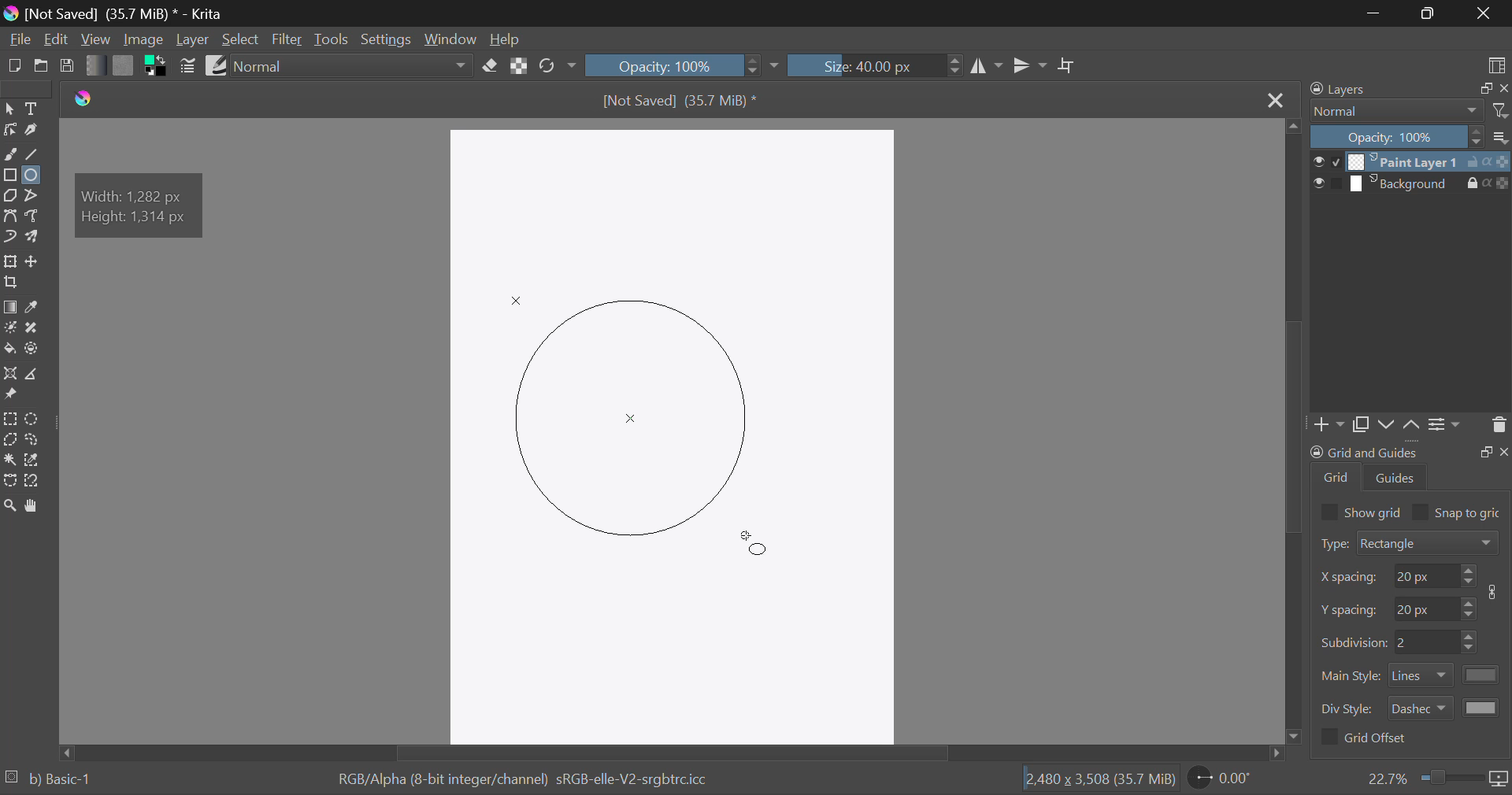 This screenshot has width=1512, height=795. What do you see at coordinates (1498, 428) in the screenshot?
I see `Delete Layer` at bounding box center [1498, 428].